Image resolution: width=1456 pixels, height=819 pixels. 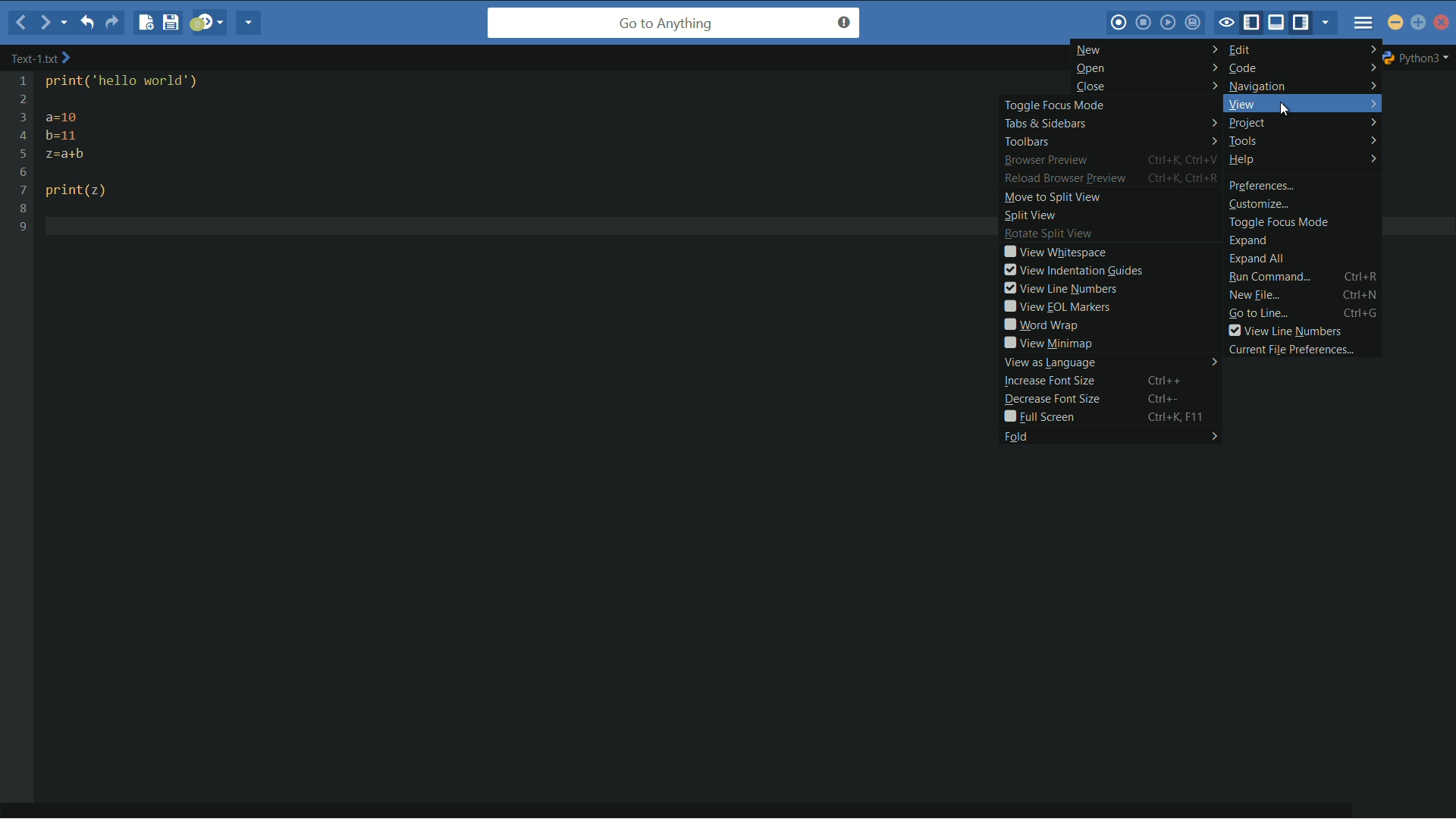 What do you see at coordinates (1056, 106) in the screenshot?
I see `toggle focus mode` at bounding box center [1056, 106].